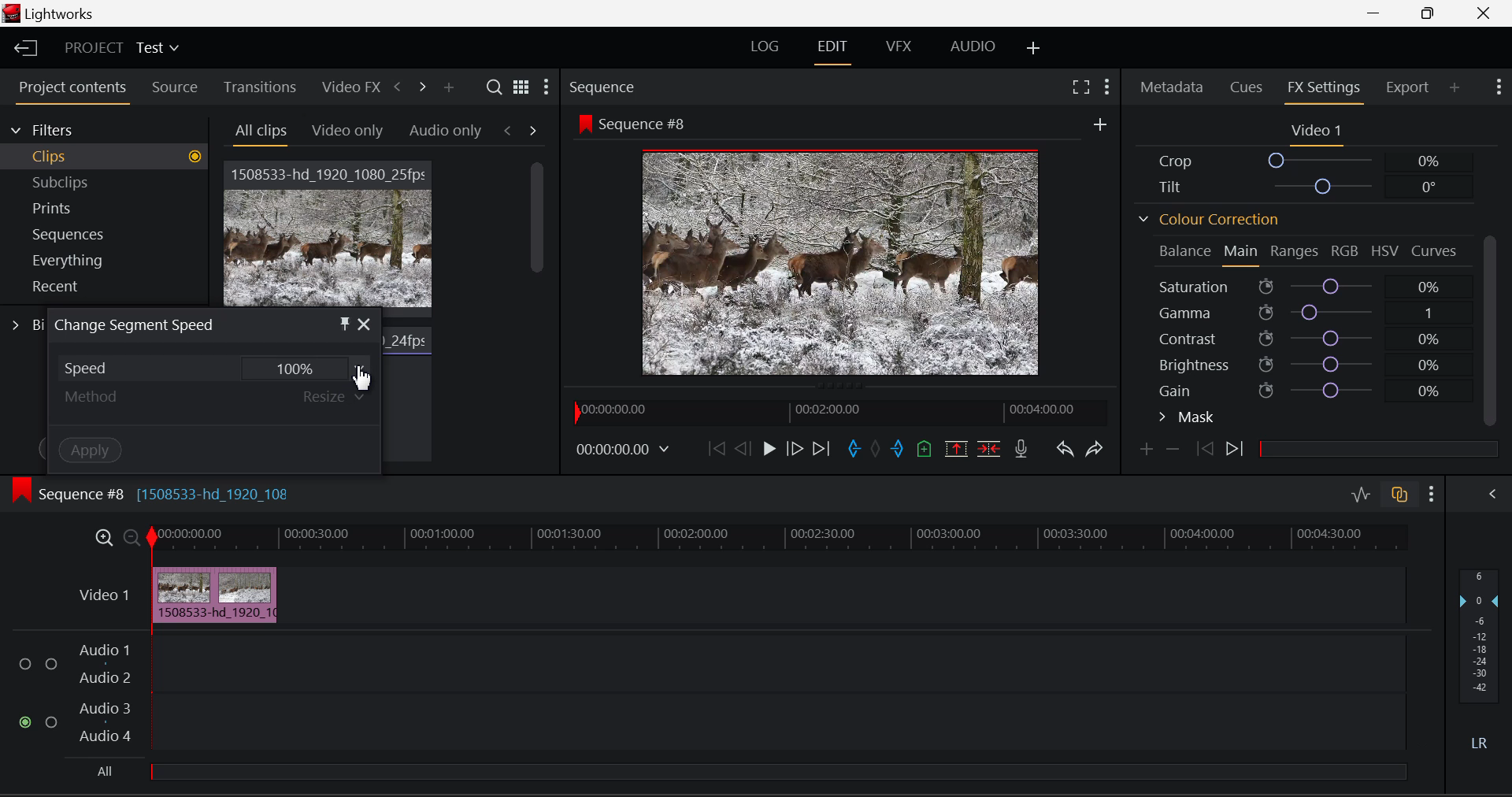 The image size is (1512, 797). Describe the element at coordinates (213, 595) in the screenshot. I see `Cursor on Clip in Timeline` at that location.